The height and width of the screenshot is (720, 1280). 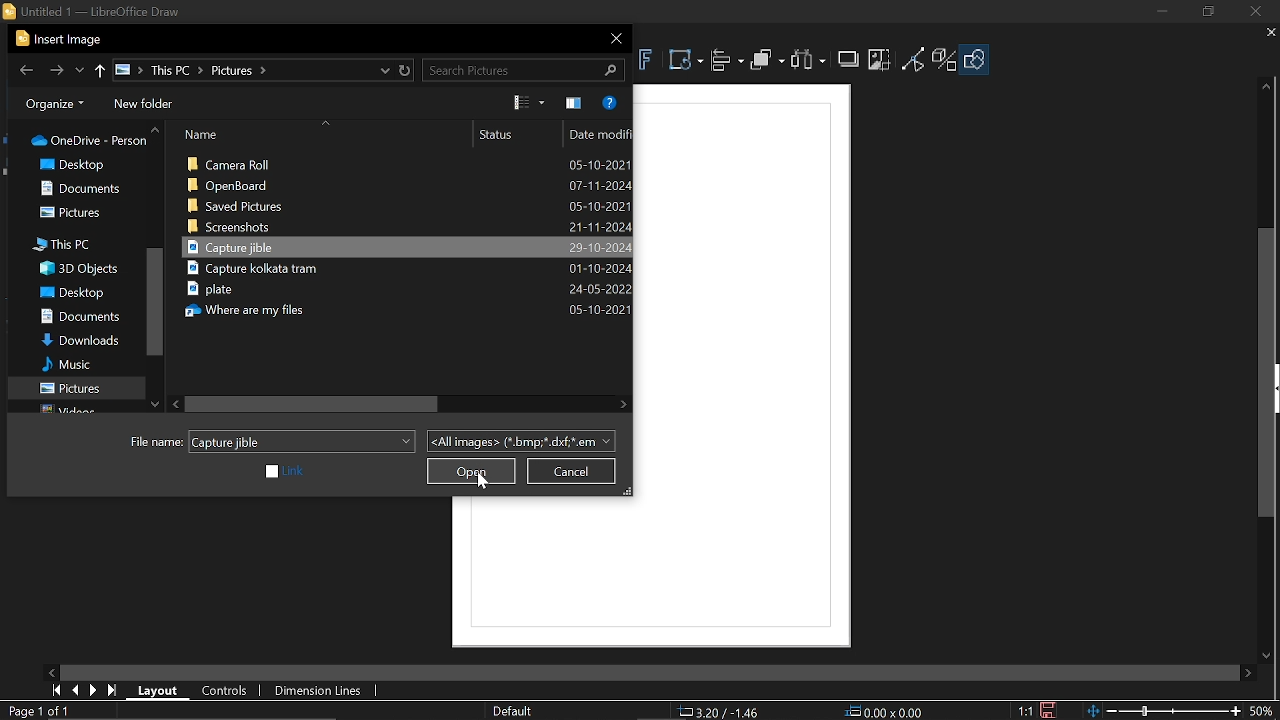 What do you see at coordinates (687, 62) in the screenshot?
I see `Transformations` at bounding box center [687, 62].